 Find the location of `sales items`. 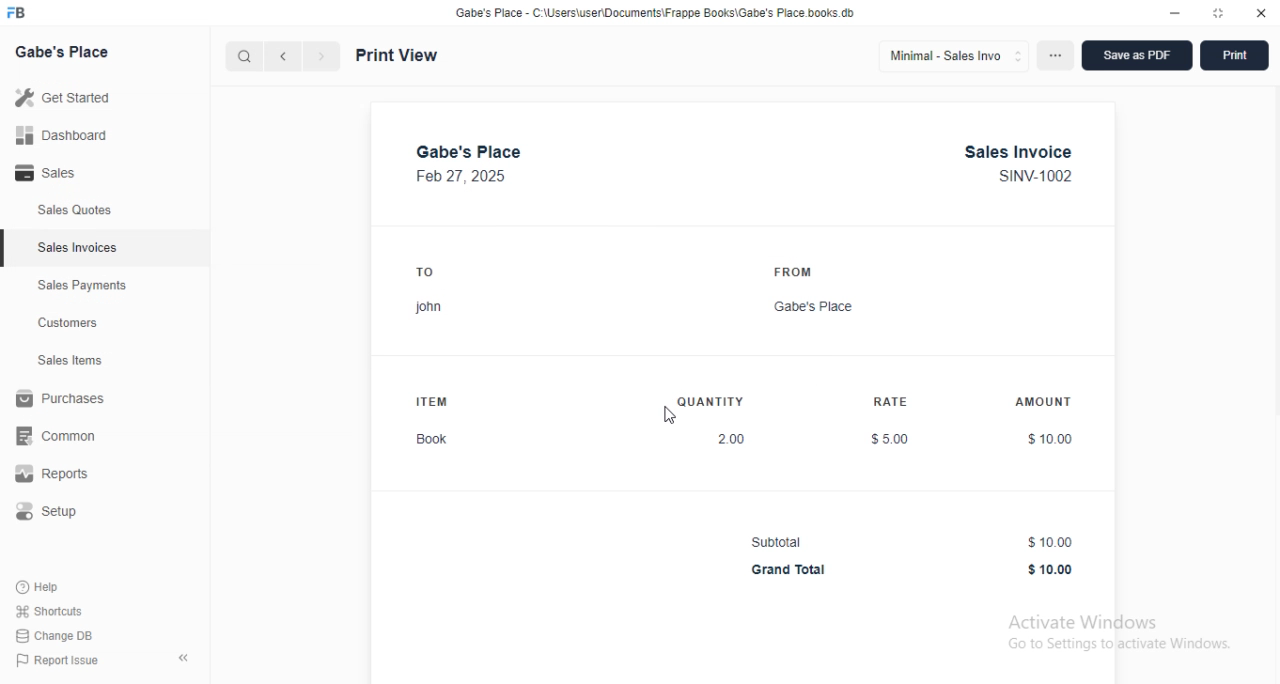

sales items is located at coordinates (69, 360).